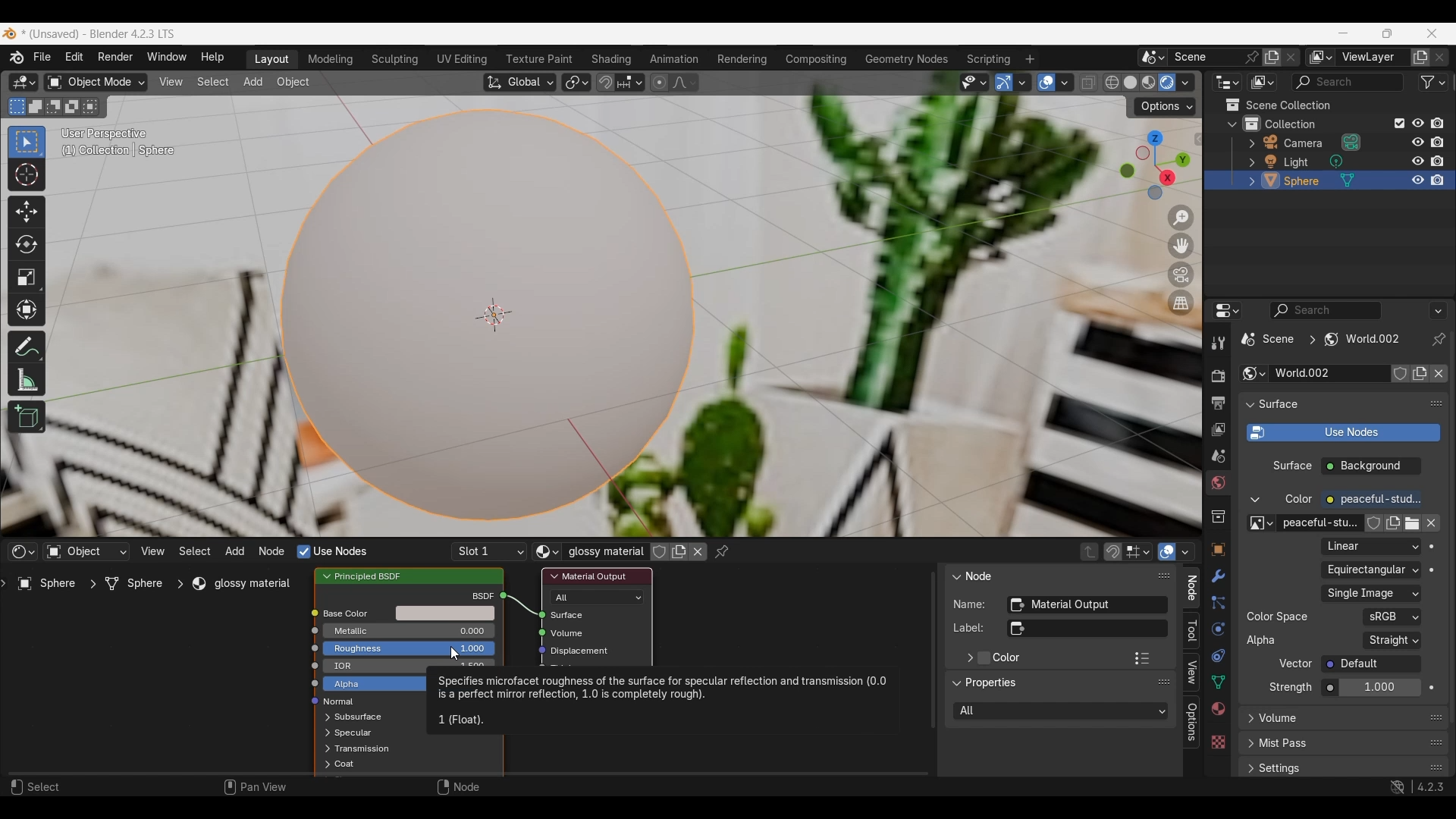  What do you see at coordinates (1392, 640) in the screenshot?
I see `Representation of alpha in the image` at bounding box center [1392, 640].